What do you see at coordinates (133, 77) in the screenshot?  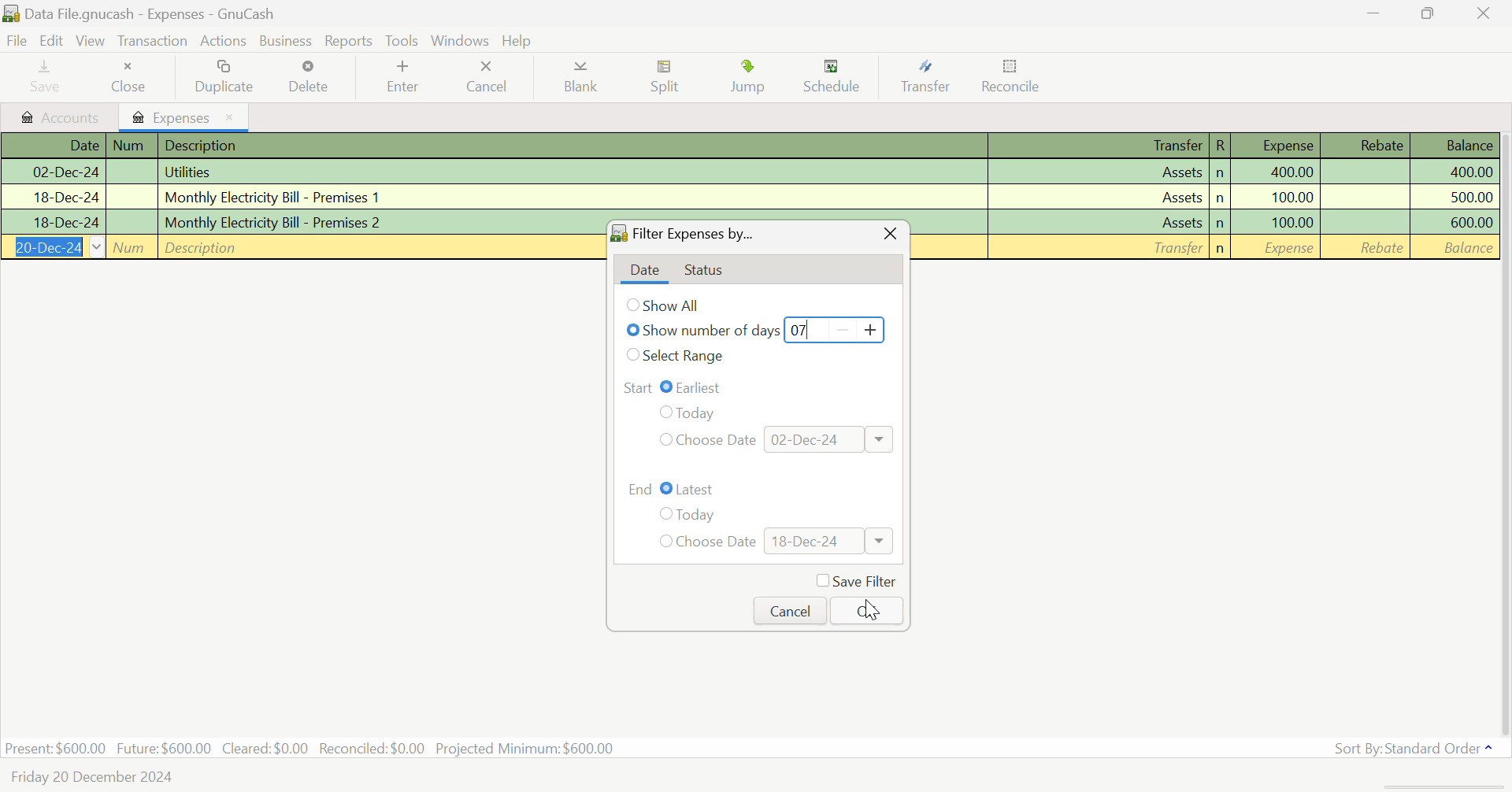 I see `Close` at bounding box center [133, 77].